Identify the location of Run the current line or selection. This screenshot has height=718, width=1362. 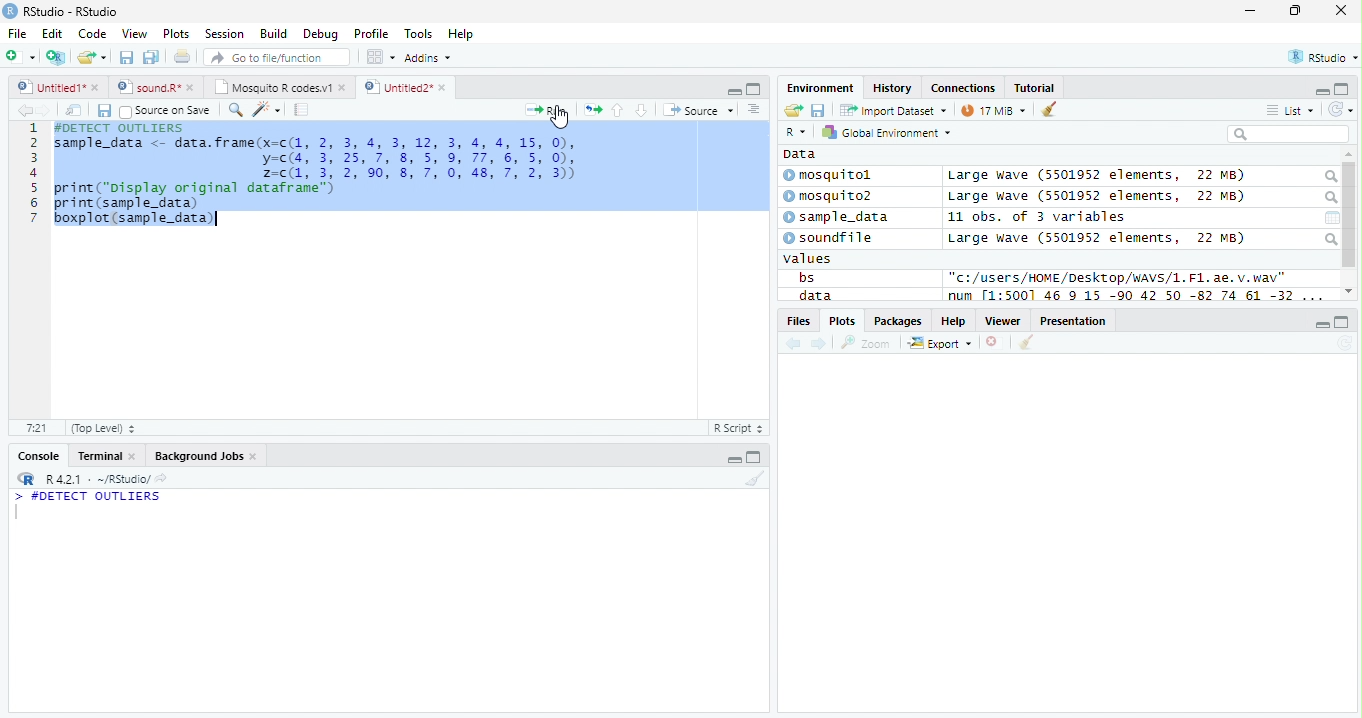
(546, 111).